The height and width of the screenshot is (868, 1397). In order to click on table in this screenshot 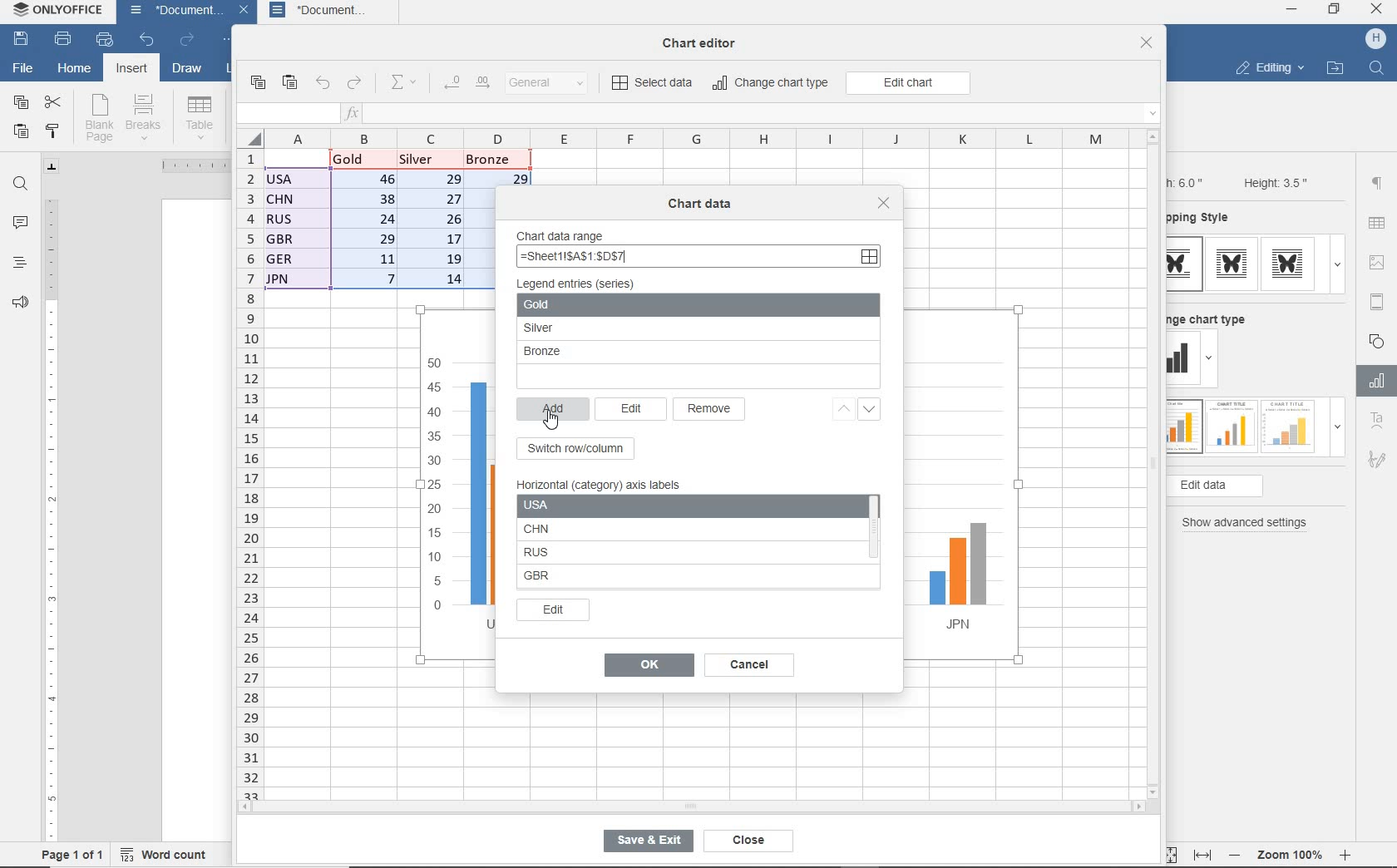, I will do `click(200, 117)`.